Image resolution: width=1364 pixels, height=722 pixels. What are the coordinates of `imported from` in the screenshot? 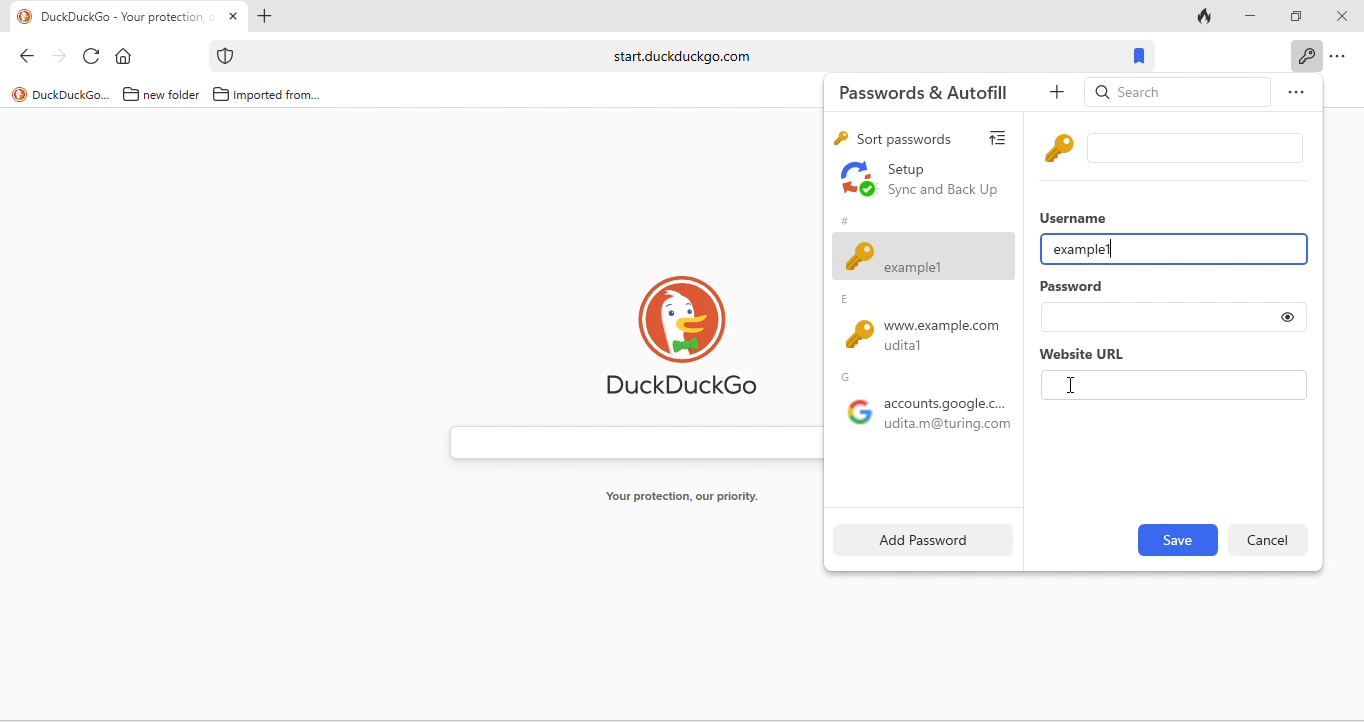 It's located at (279, 96).